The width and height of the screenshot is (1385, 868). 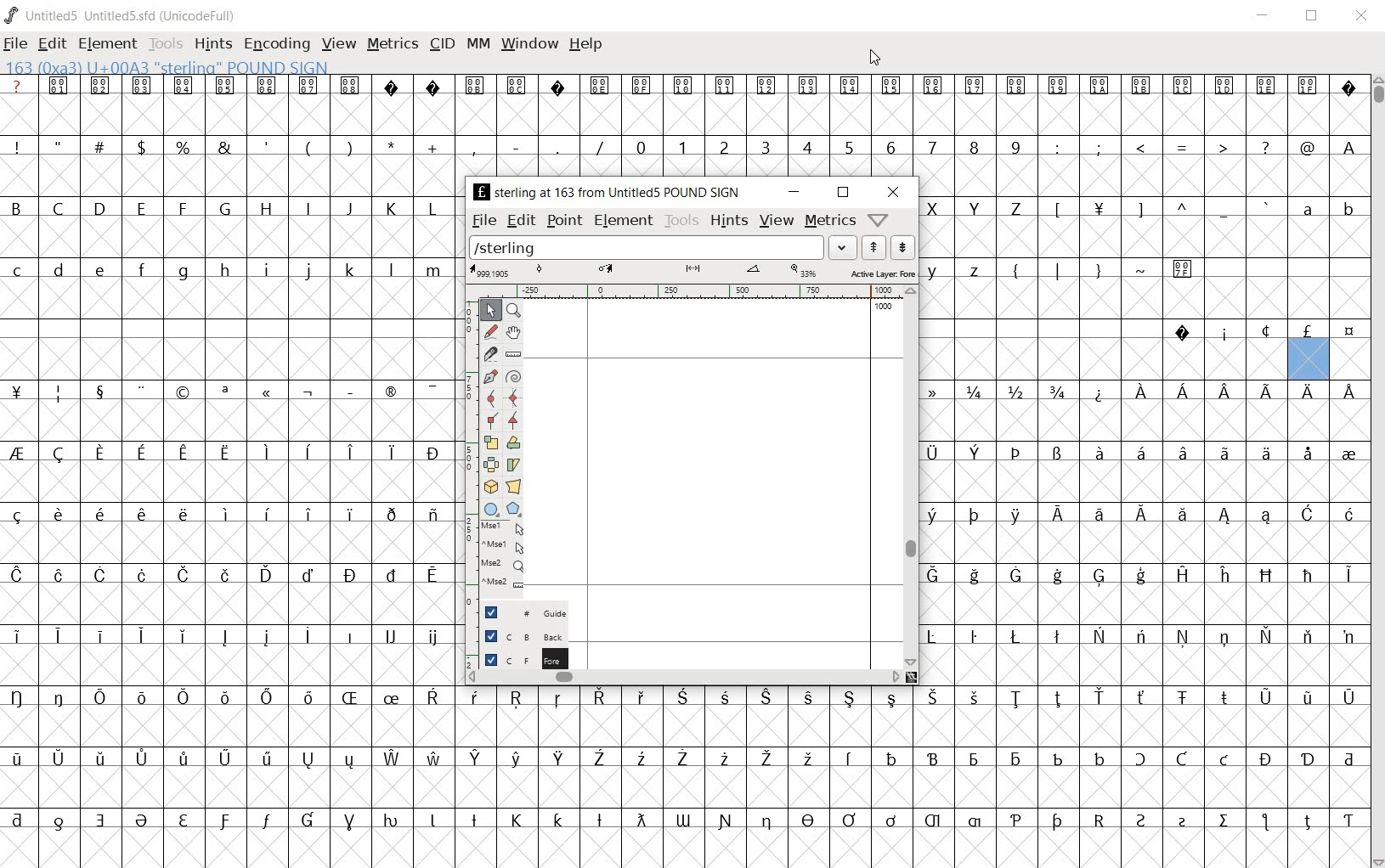 I want to click on WINDOW, so click(x=529, y=46).